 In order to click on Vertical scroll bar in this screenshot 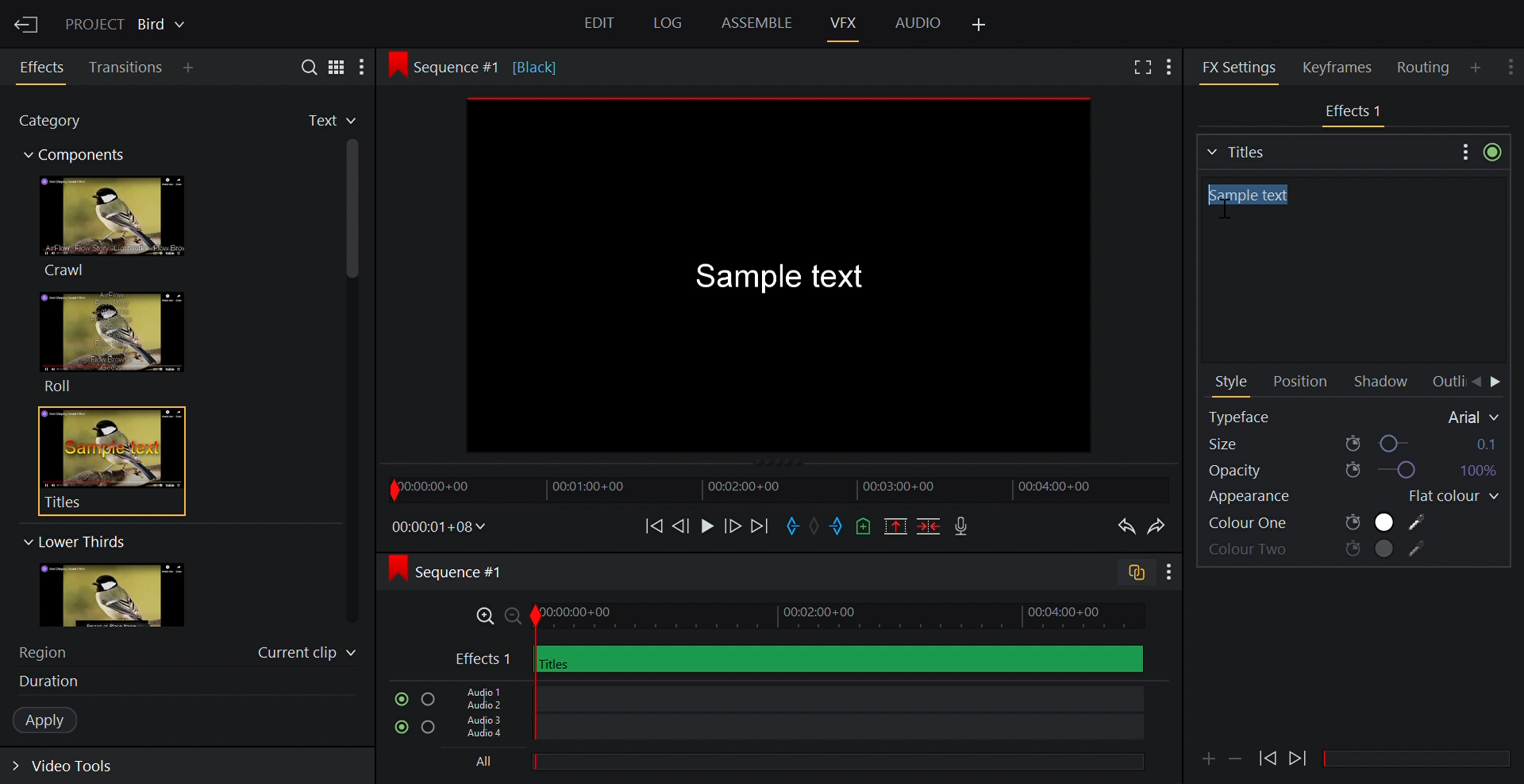, I will do `click(354, 290)`.